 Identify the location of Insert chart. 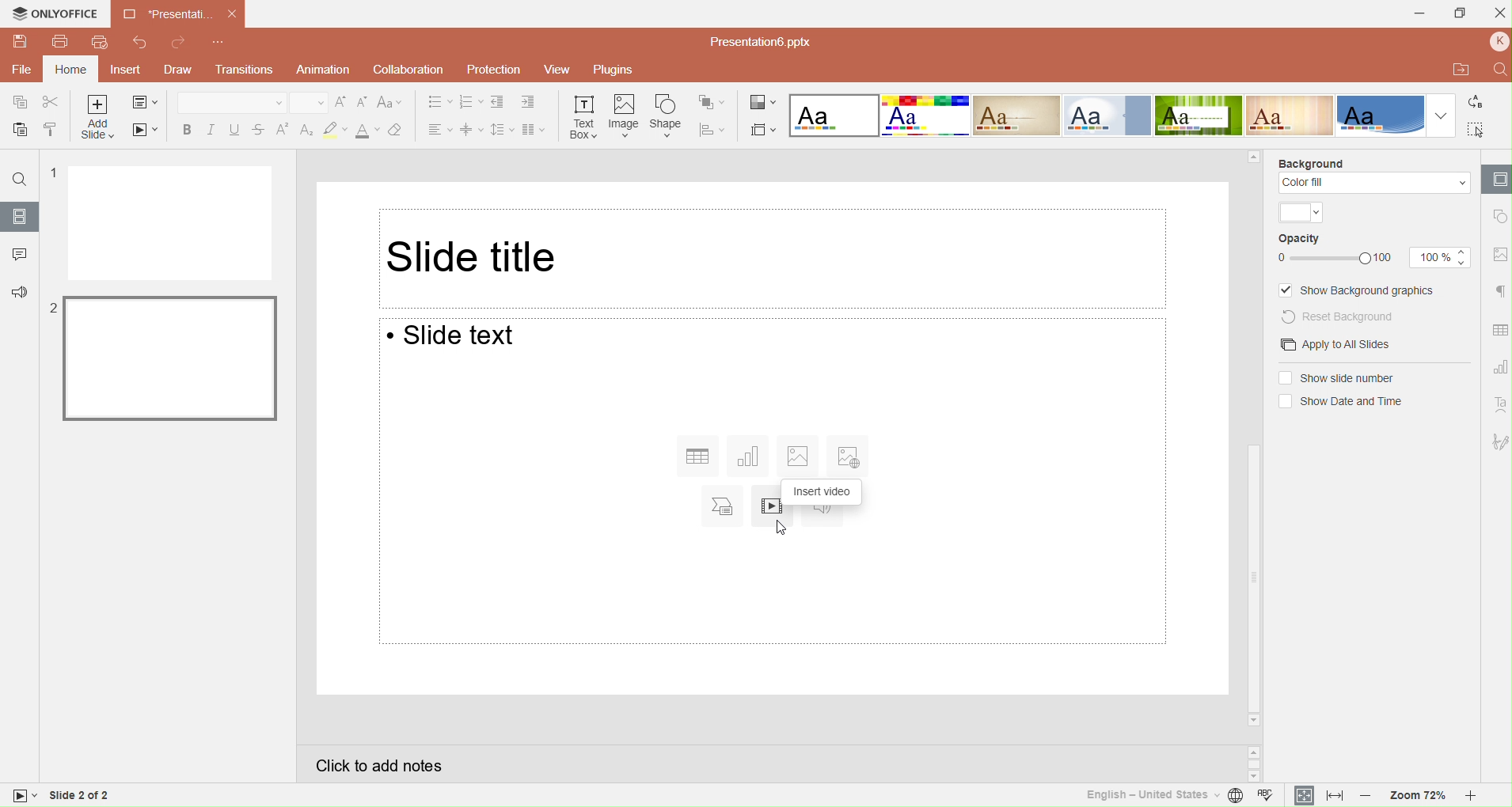
(750, 457).